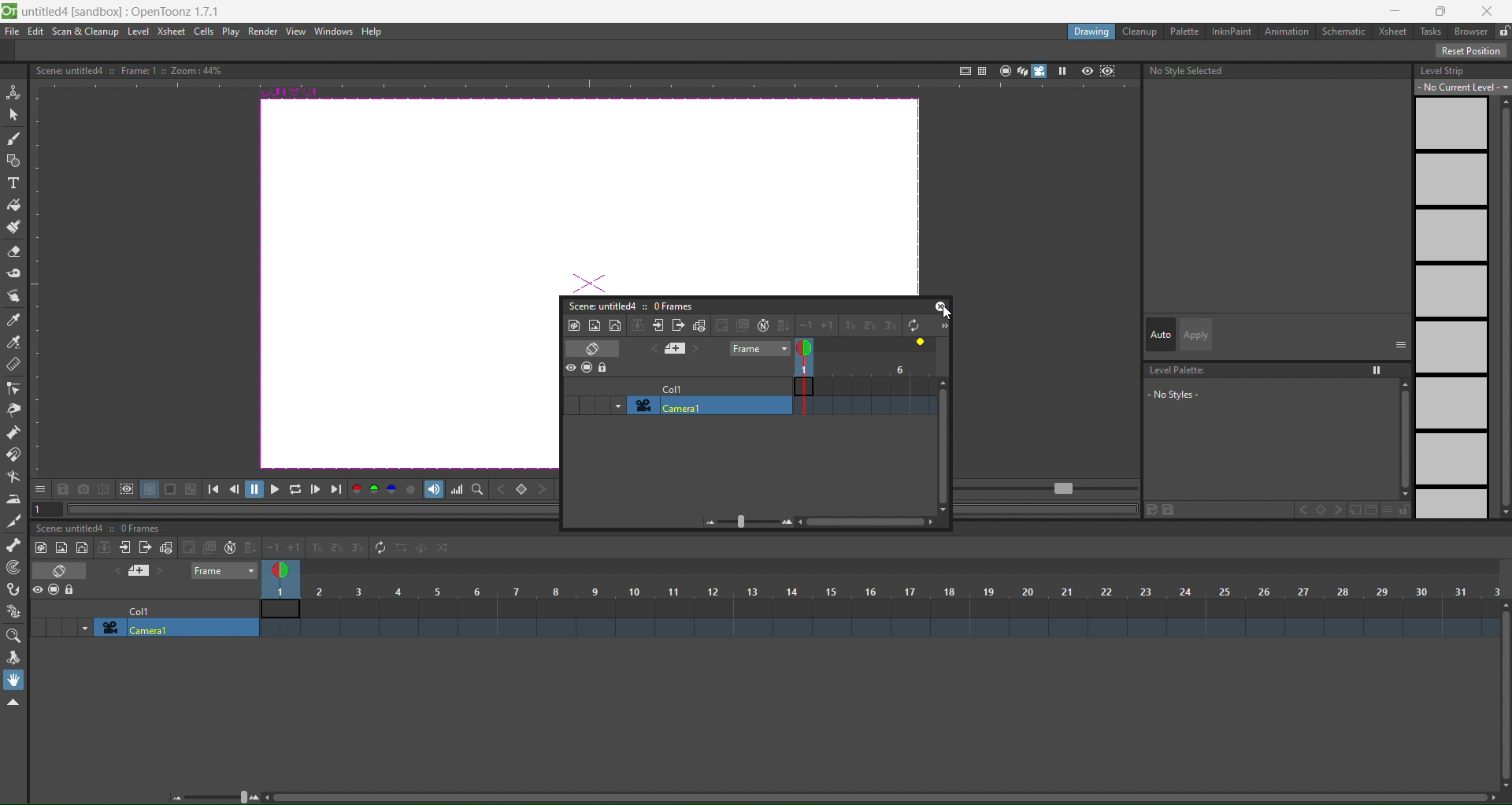 Image resolution: width=1512 pixels, height=805 pixels. I want to click on double click to toggle onion skin, so click(813, 348).